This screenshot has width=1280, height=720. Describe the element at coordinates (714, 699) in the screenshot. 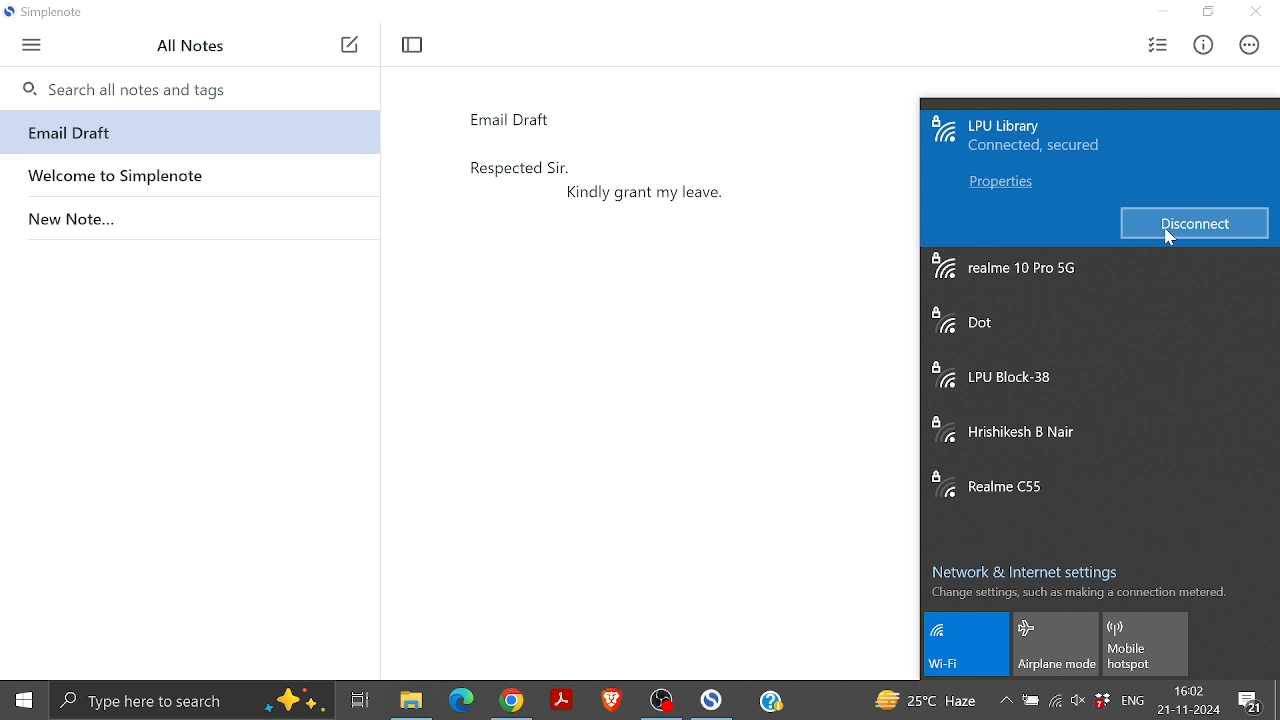

I see `Simplenote` at that location.